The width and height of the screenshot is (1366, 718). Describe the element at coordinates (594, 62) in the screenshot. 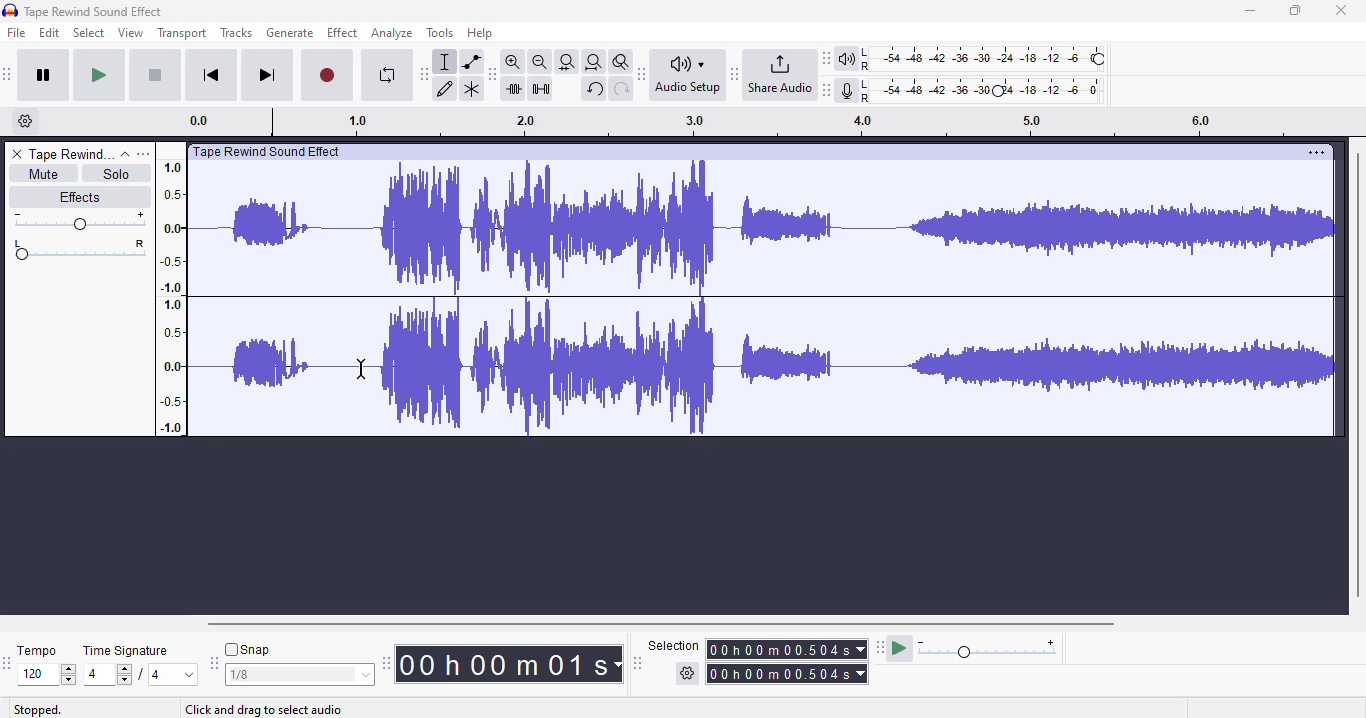

I see `fit project to width` at that location.